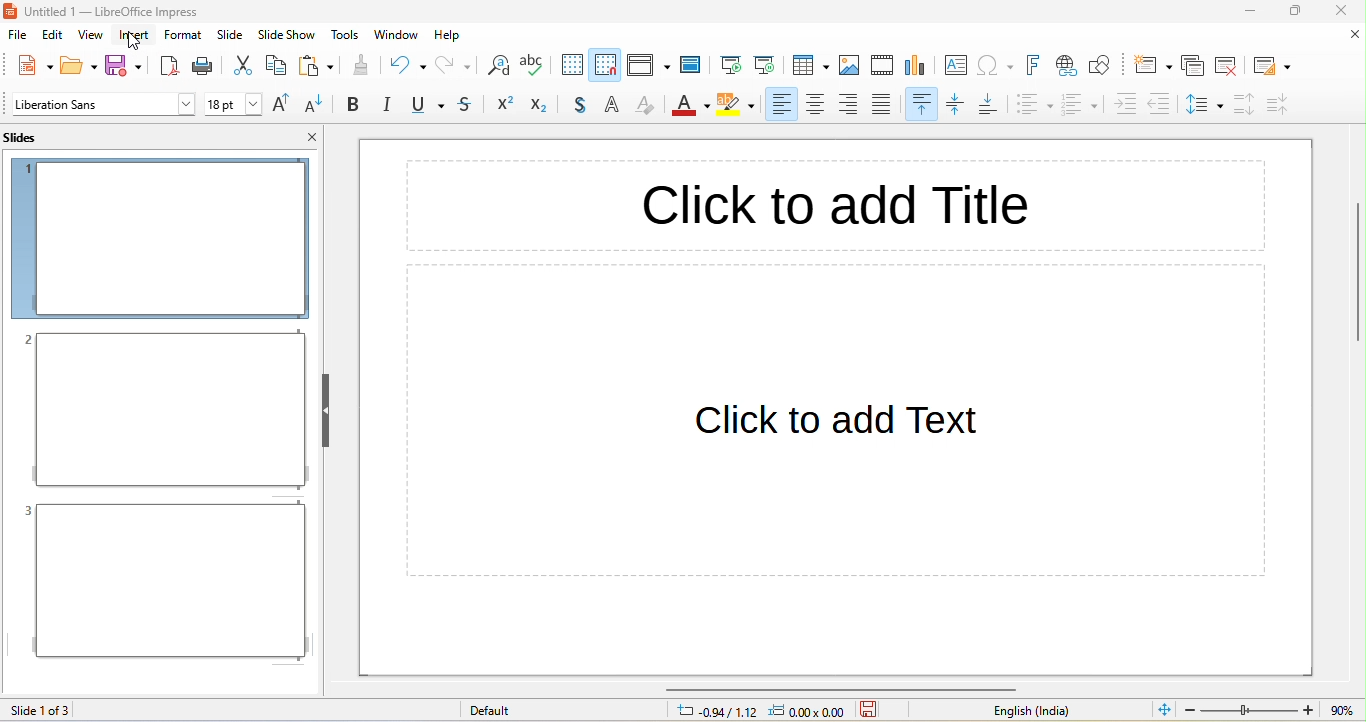 This screenshot has width=1366, height=722. I want to click on file, so click(19, 37).